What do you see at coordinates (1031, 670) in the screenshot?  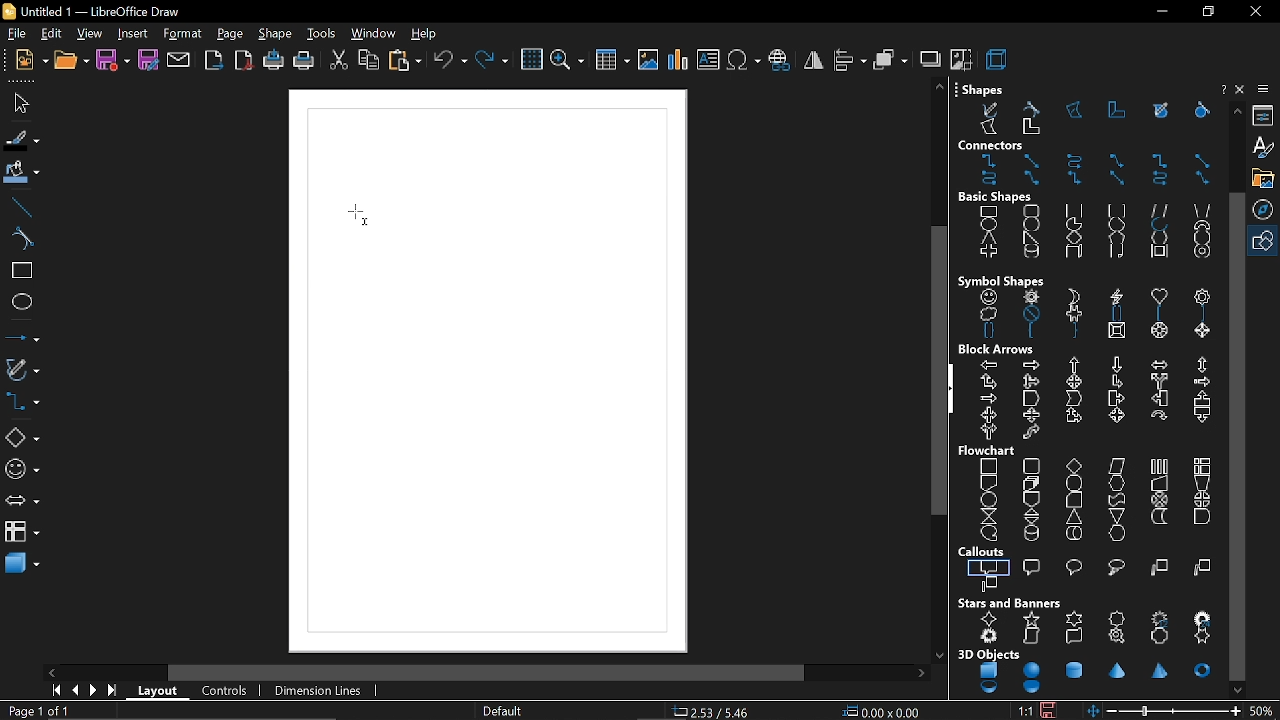 I see `sphere` at bounding box center [1031, 670].